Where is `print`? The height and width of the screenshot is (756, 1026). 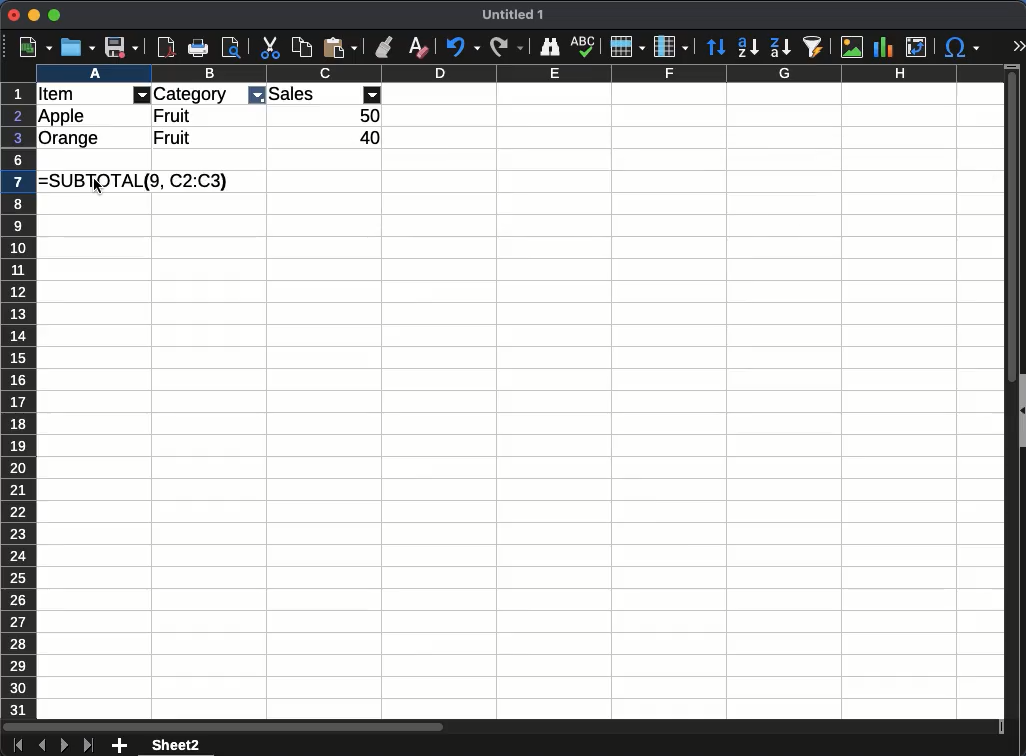 print is located at coordinates (197, 47).